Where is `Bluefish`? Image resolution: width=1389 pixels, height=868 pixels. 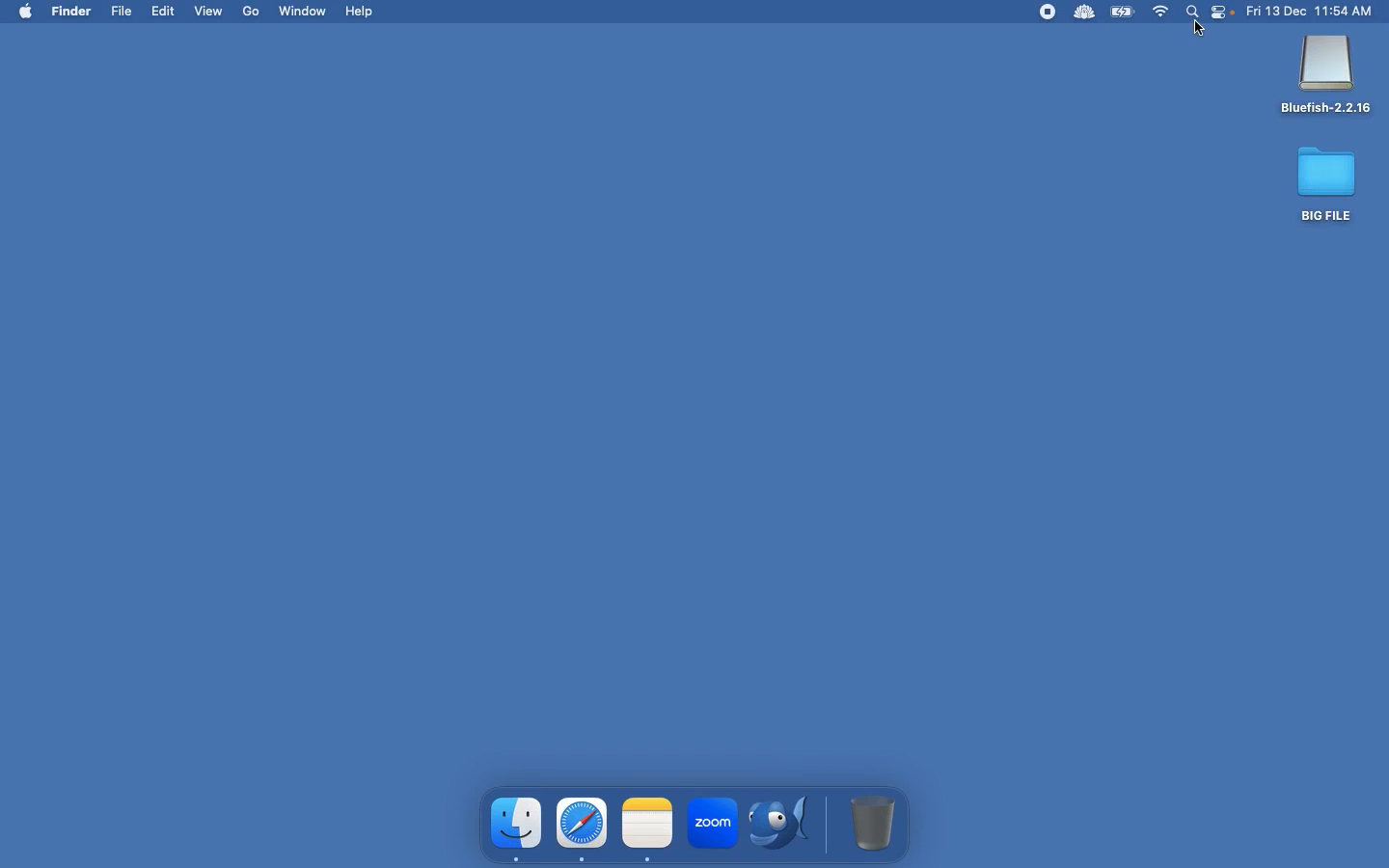
Bluefish is located at coordinates (1326, 76).